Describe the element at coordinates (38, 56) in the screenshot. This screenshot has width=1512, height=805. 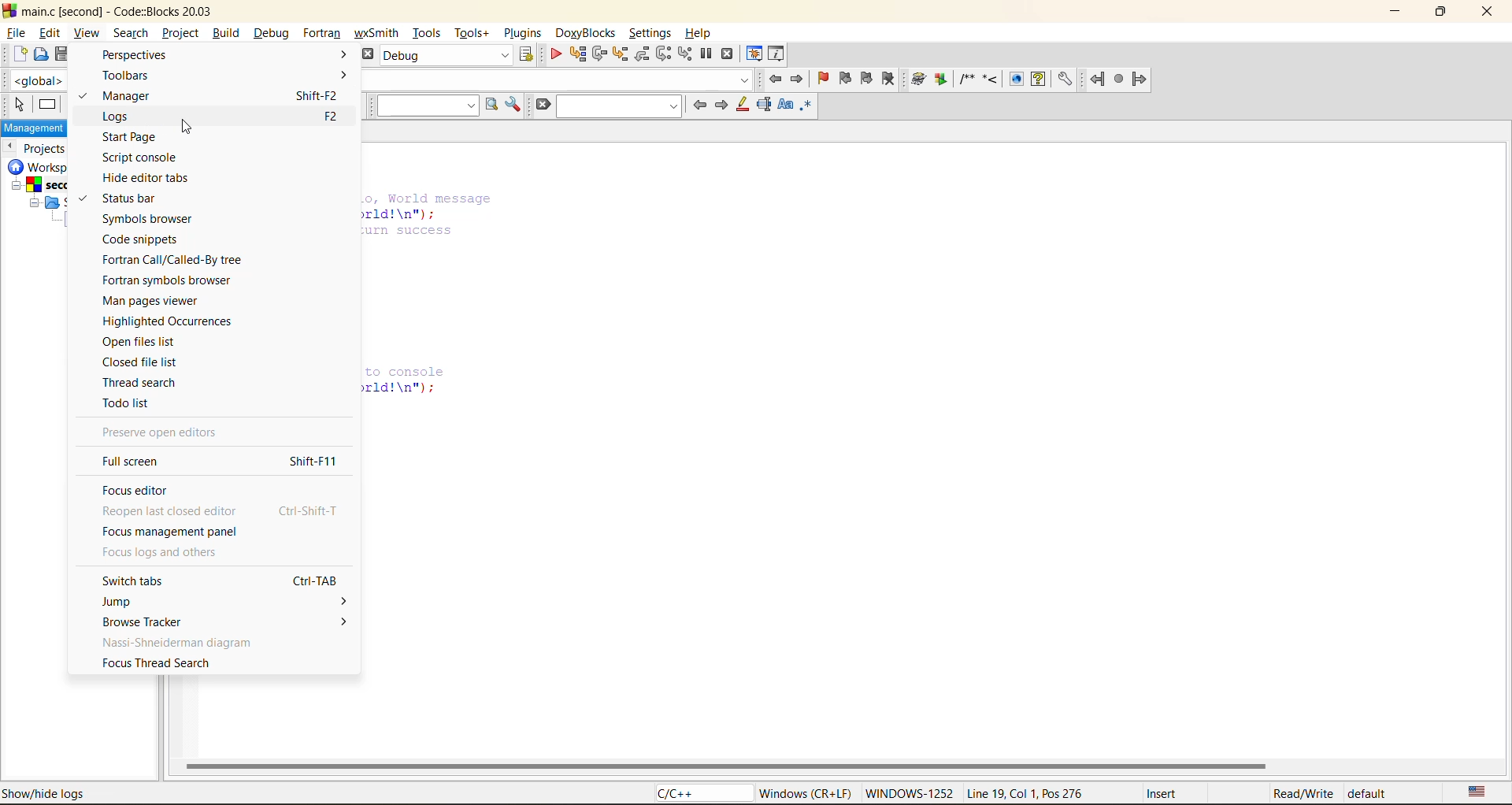
I see `open` at that location.